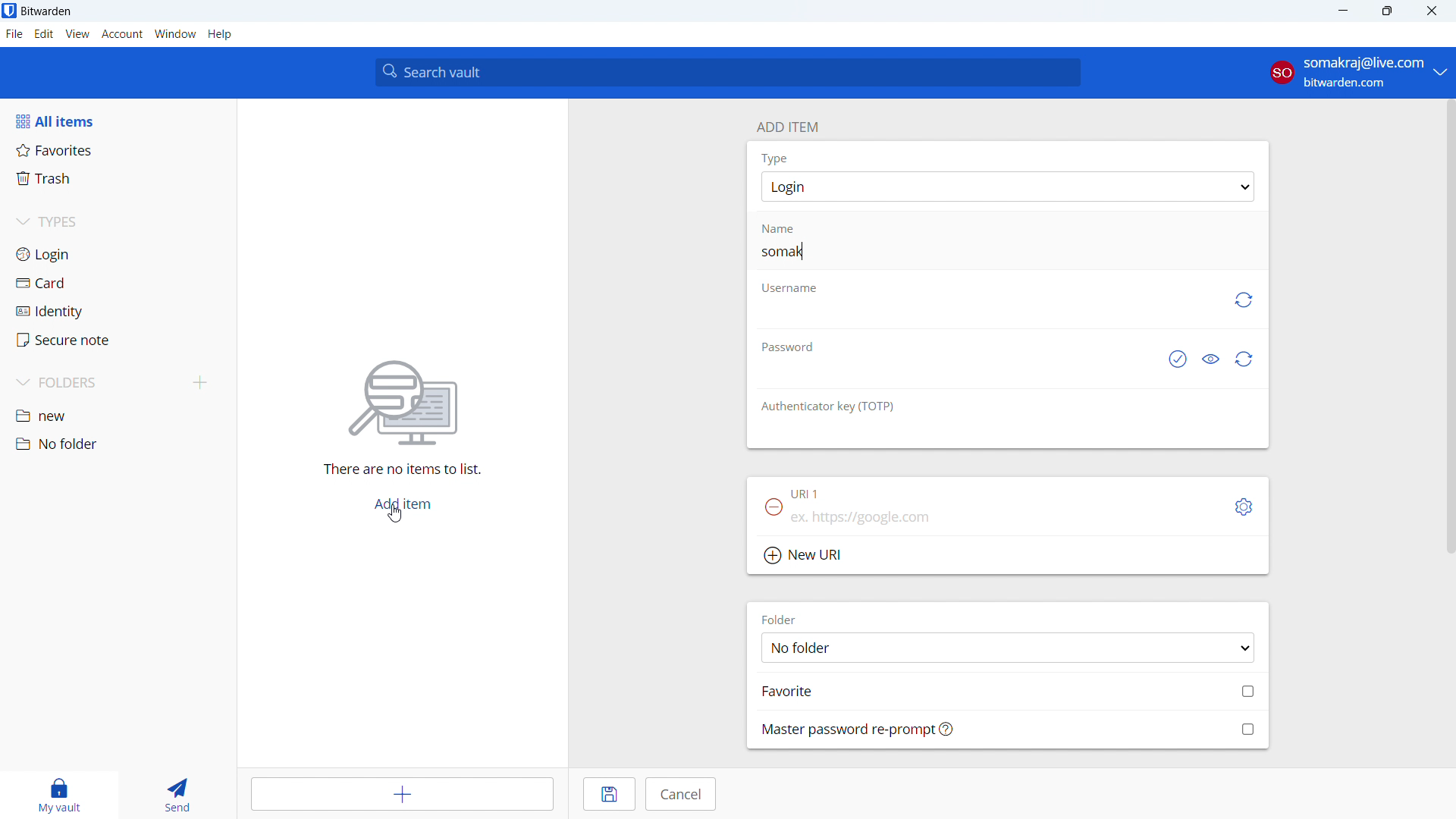  Describe the element at coordinates (220, 34) in the screenshot. I see `help` at that location.